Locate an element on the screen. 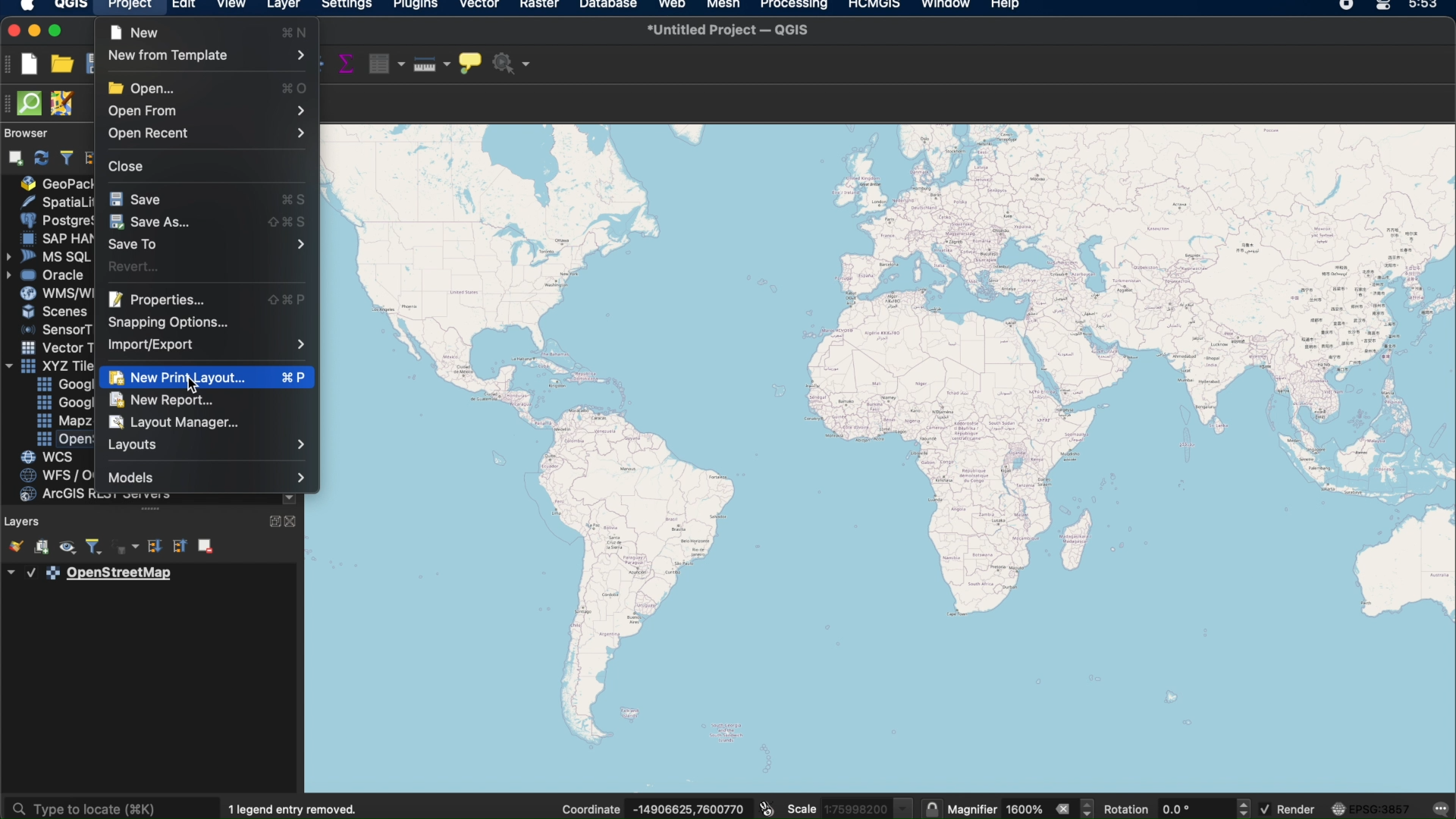 This screenshot has width=1456, height=819. rotation is located at coordinates (1177, 807).